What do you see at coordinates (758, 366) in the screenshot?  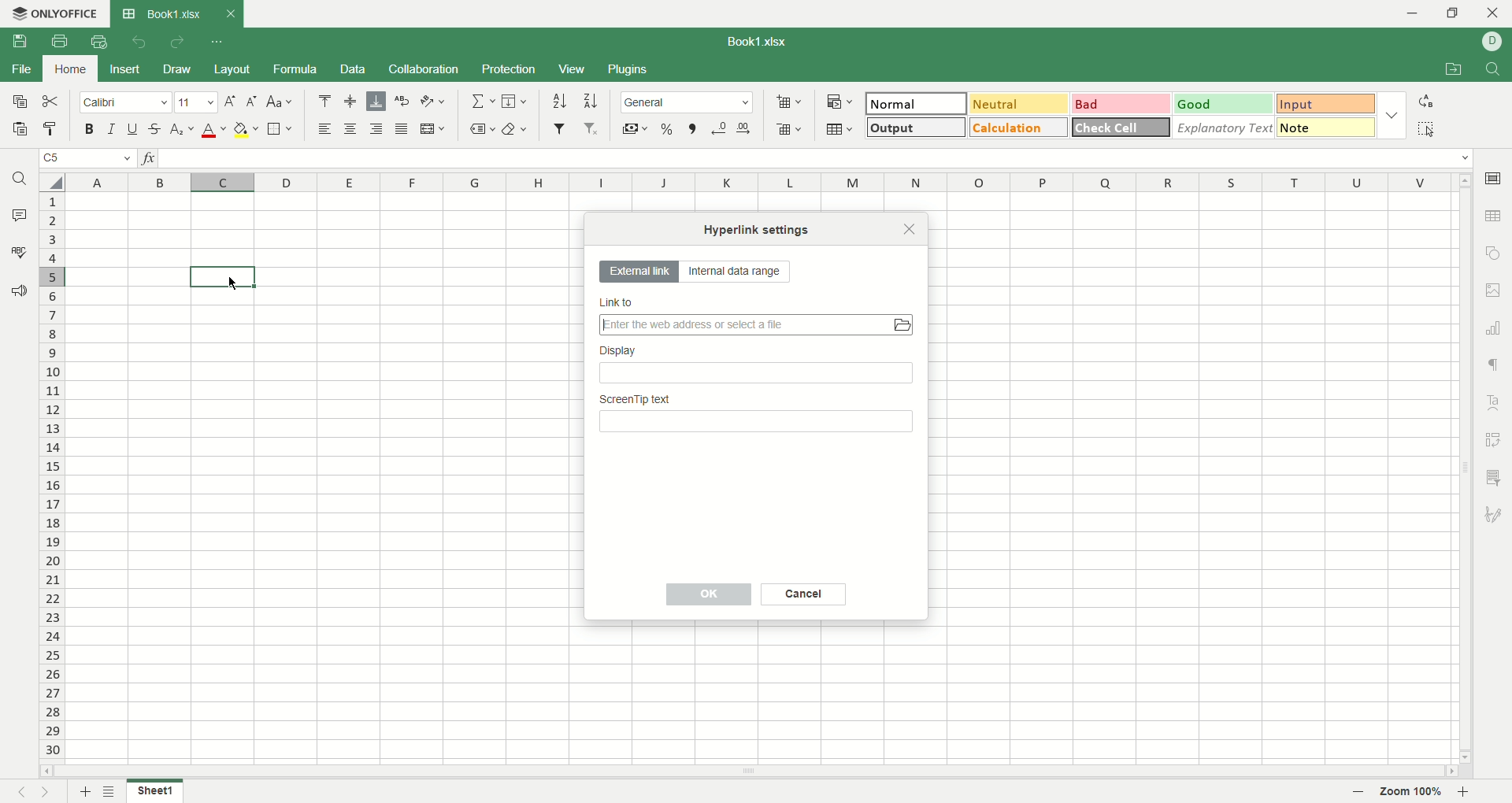 I see `display` at bounding box center [758, 366].